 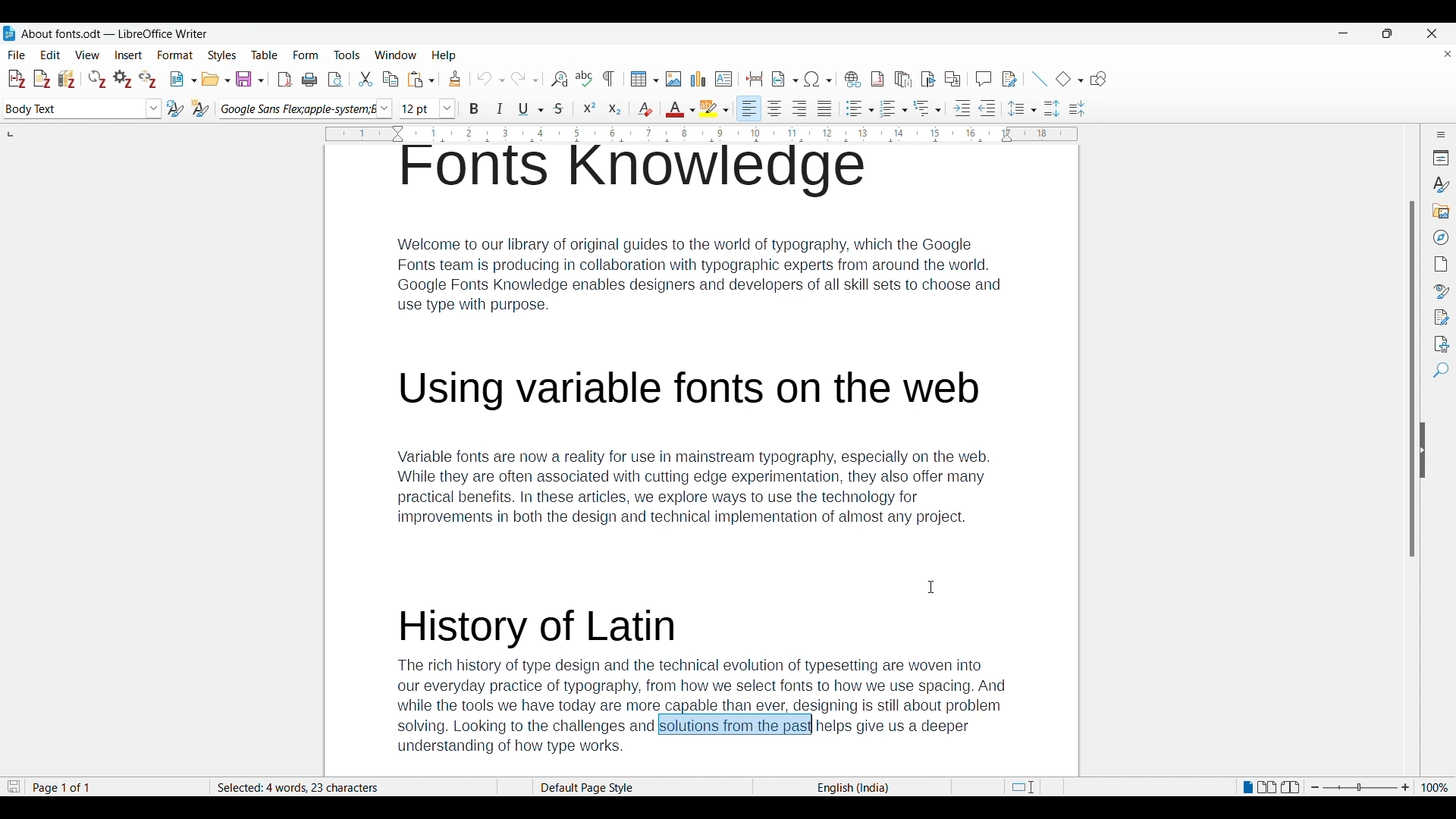 What do you see at coordinates (153, 108) in the screenshot?
I see `Paragraph style options` at bounding box center [153, 108].